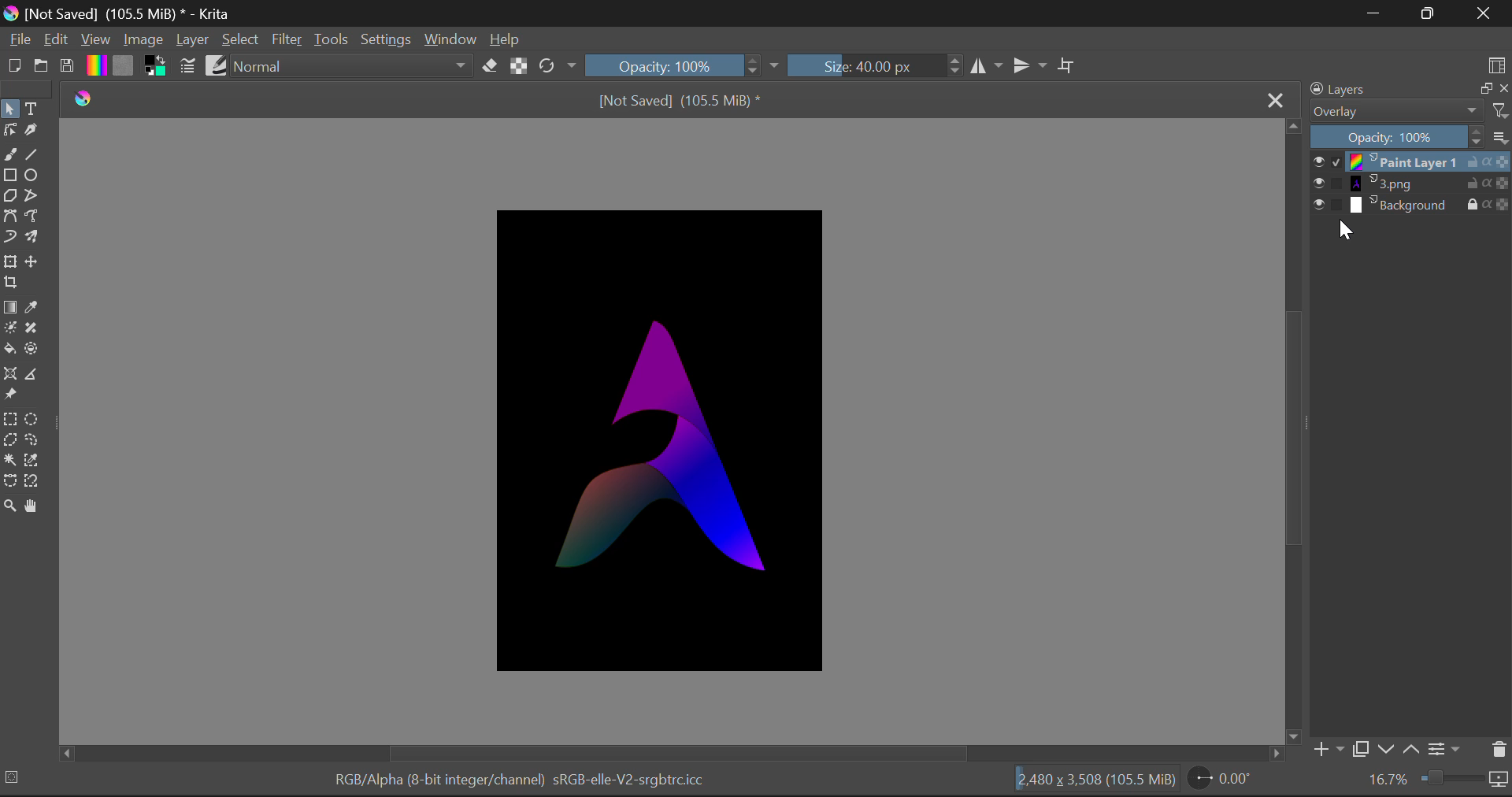 The image size is (1512, 797). I want to click on Horizontal Mirror Flip, so click(1027, 65).